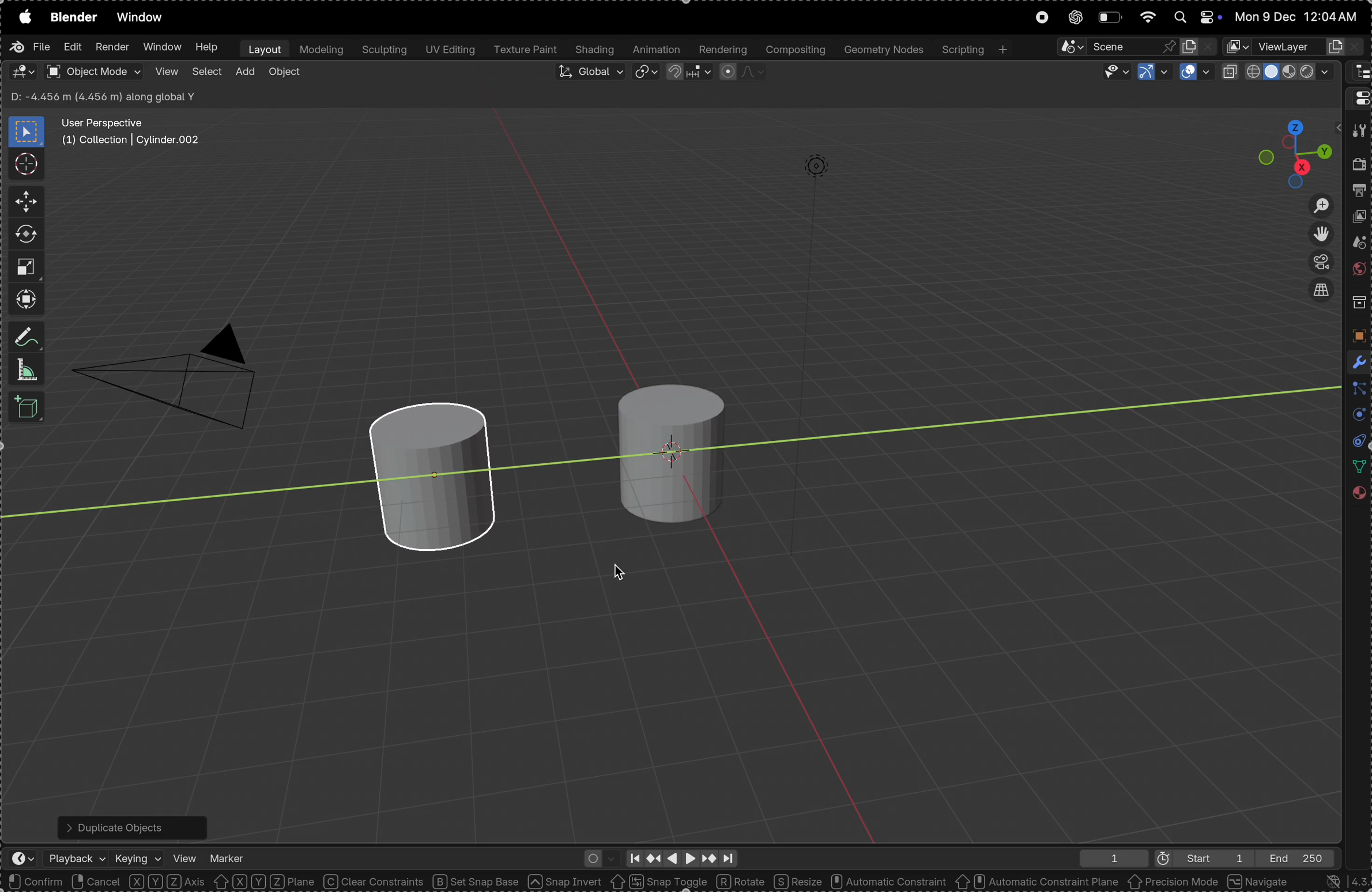 The image size is (1372, 892). What do you see at coordinates (1317, 263) in the screenshot?
I see `toggle camera view` at bounding box center [1317, 263].